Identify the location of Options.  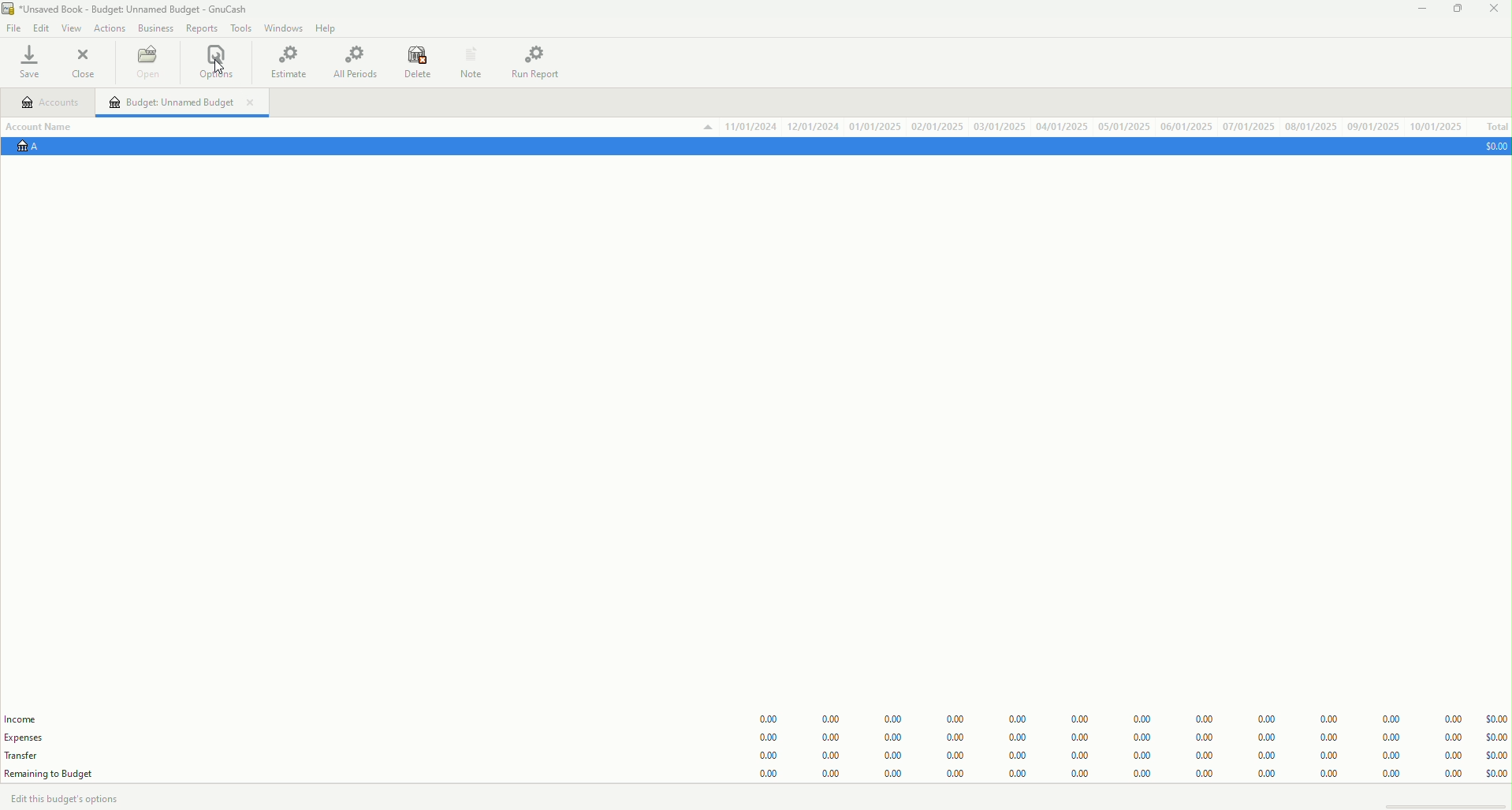
(218, 63).